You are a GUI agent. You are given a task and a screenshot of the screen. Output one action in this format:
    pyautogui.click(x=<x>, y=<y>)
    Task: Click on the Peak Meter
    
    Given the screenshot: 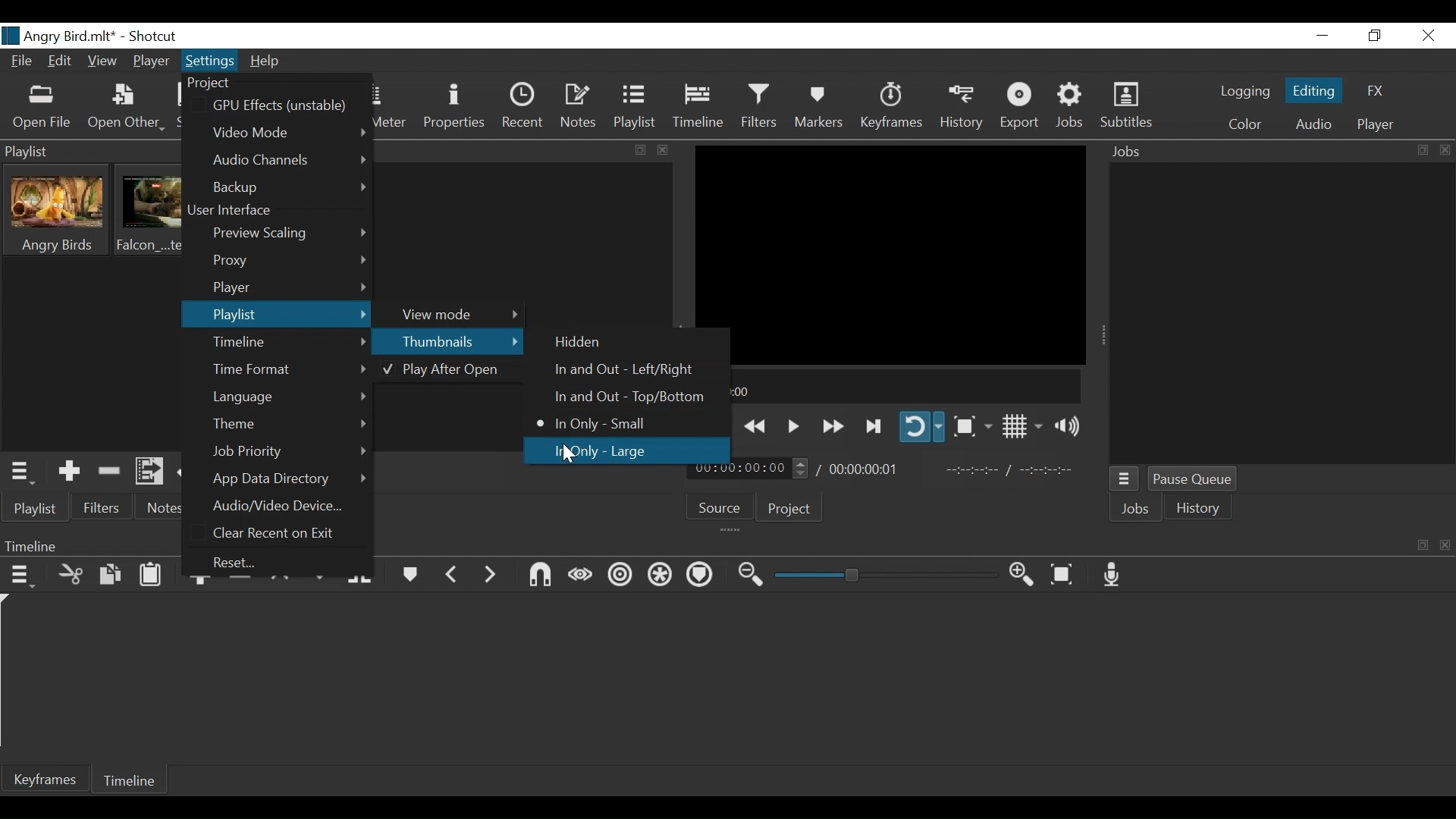 What is the action you would take?
    pyautogui.click(x=388, y=108)
    